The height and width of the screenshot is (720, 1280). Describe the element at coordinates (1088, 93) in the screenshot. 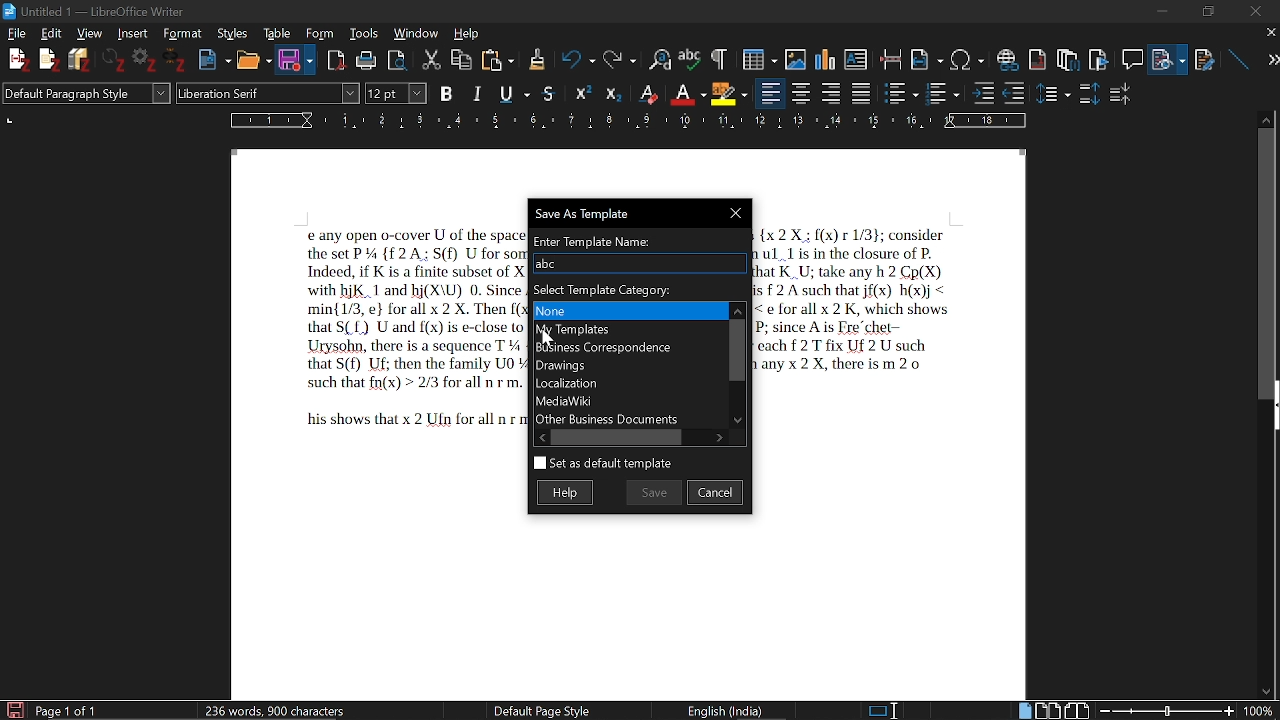

I see `increase paragraph space` at that location.